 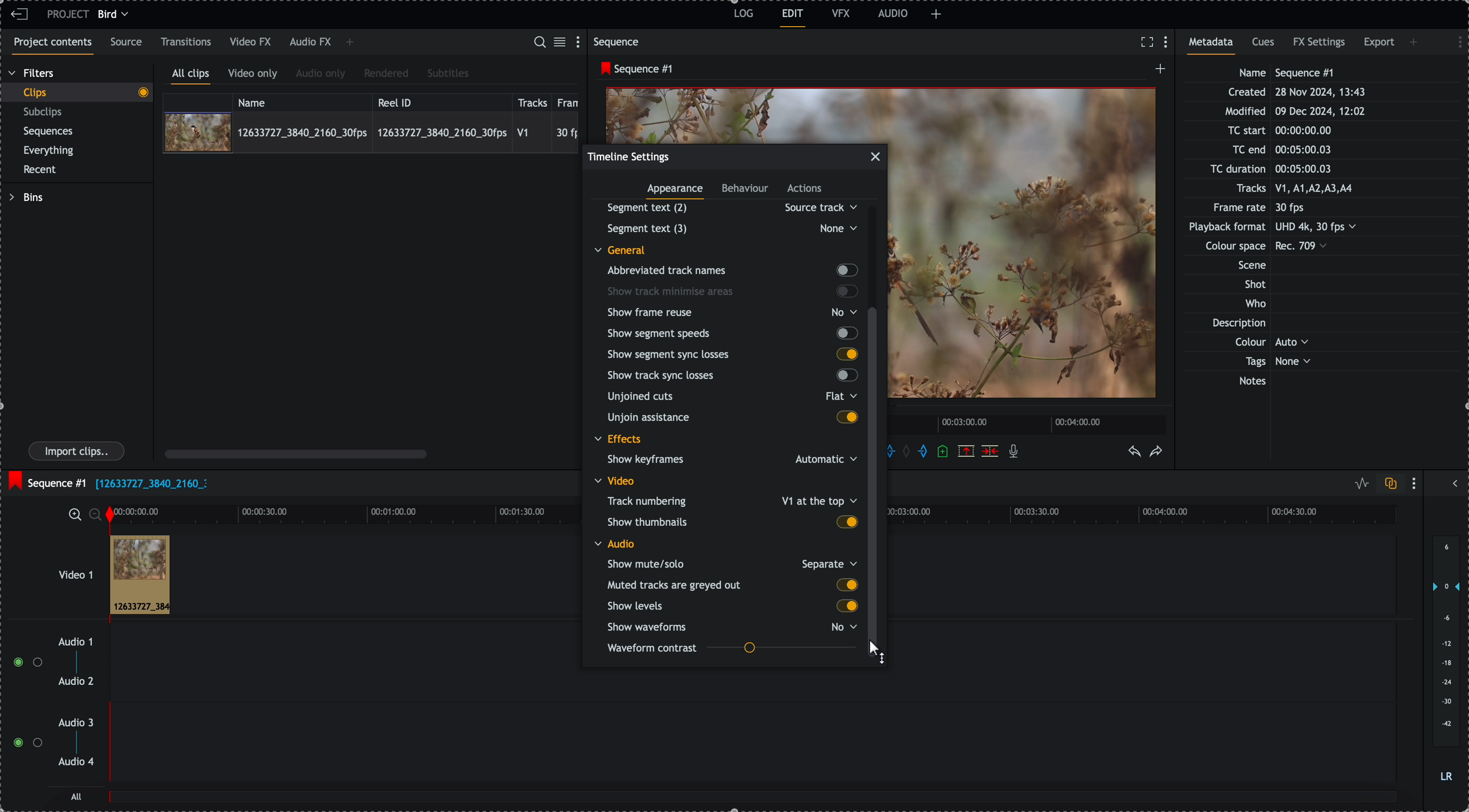 What do you see at coordinates (74, 514) in the screenshot?
I see `zoom in` at bounding box center [74, 514].